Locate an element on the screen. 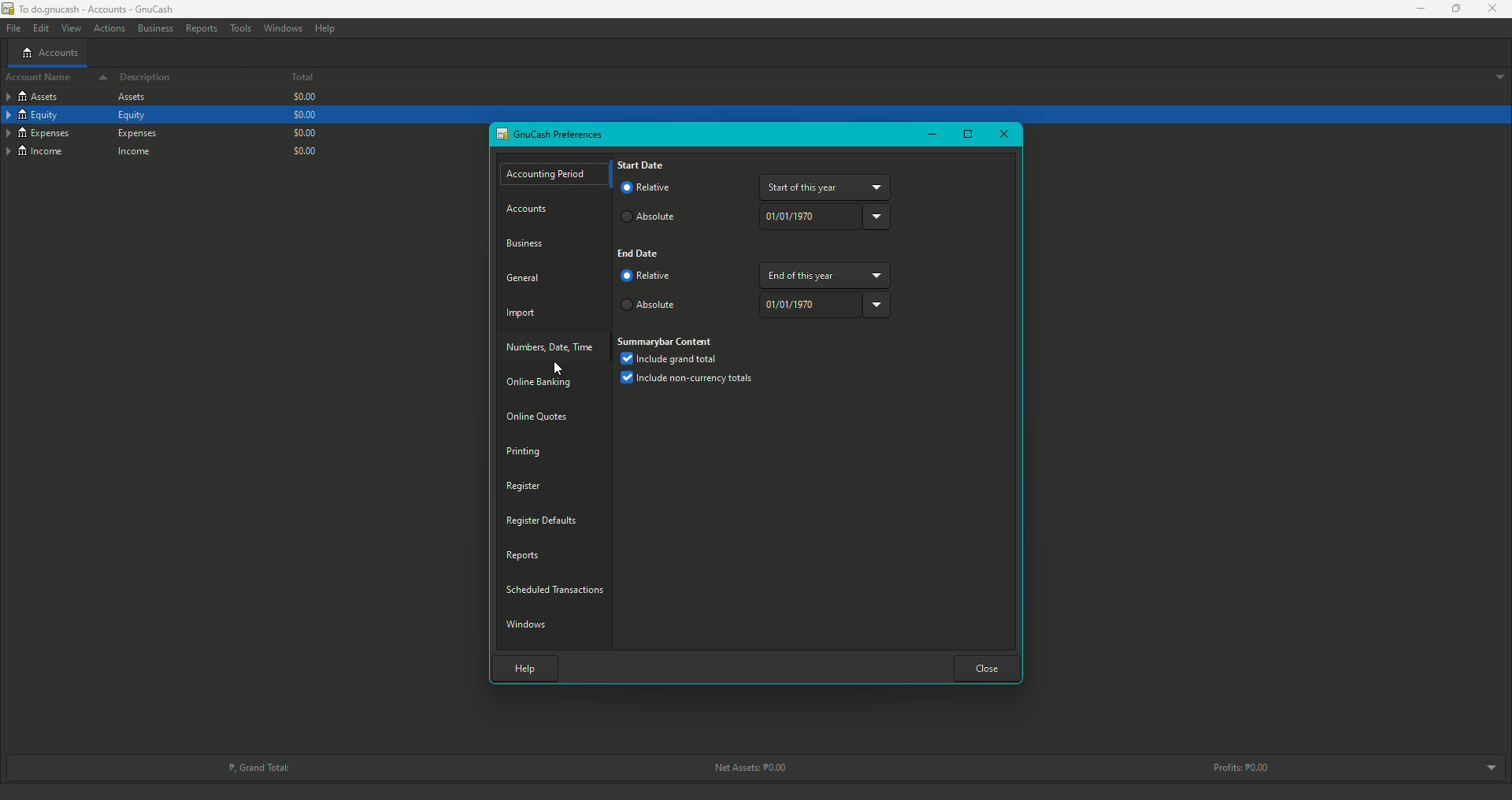 The image size is (1512, 800). $0 is located at coordinates (303, 115).